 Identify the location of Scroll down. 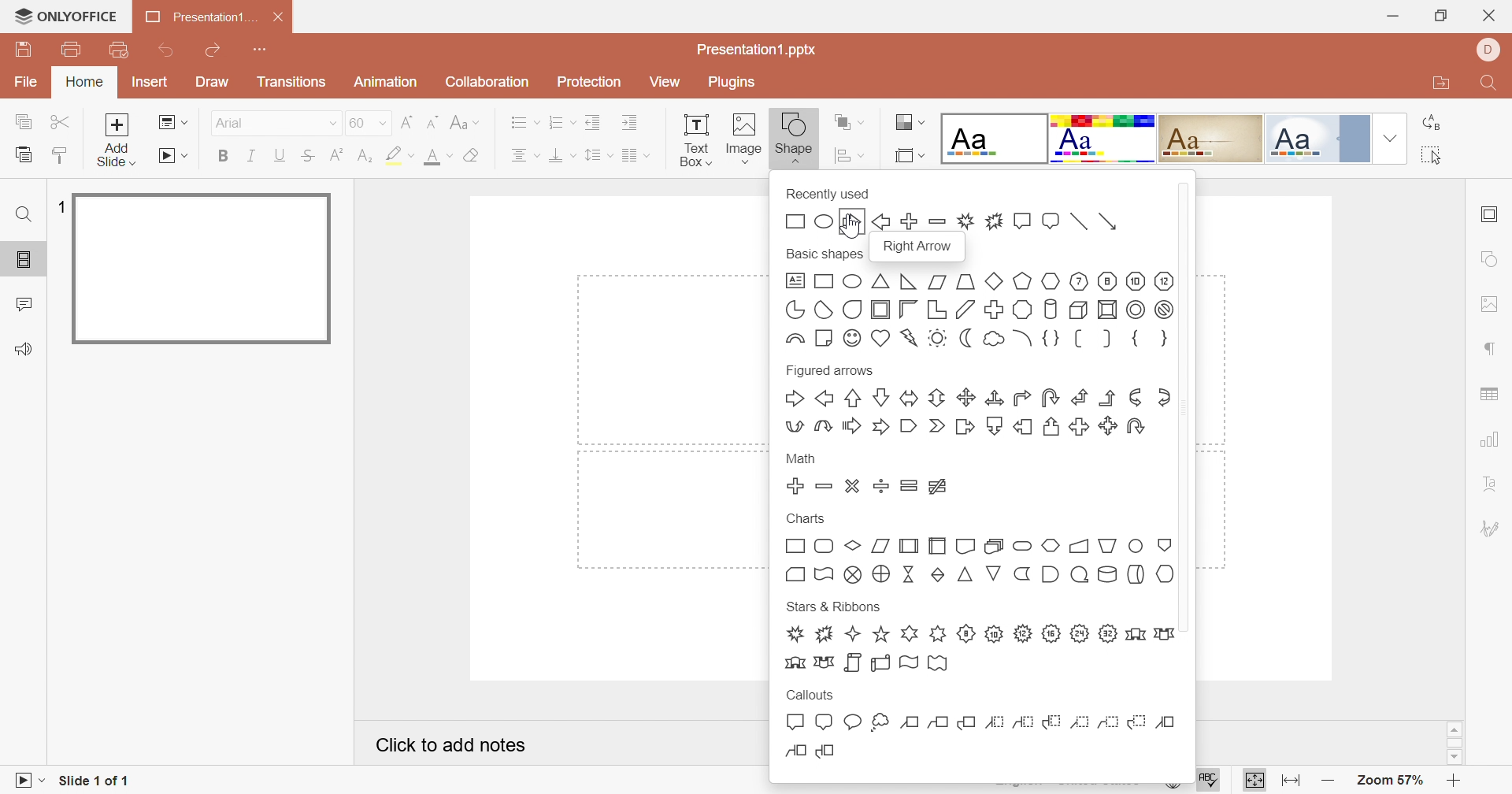
(1456, 759).